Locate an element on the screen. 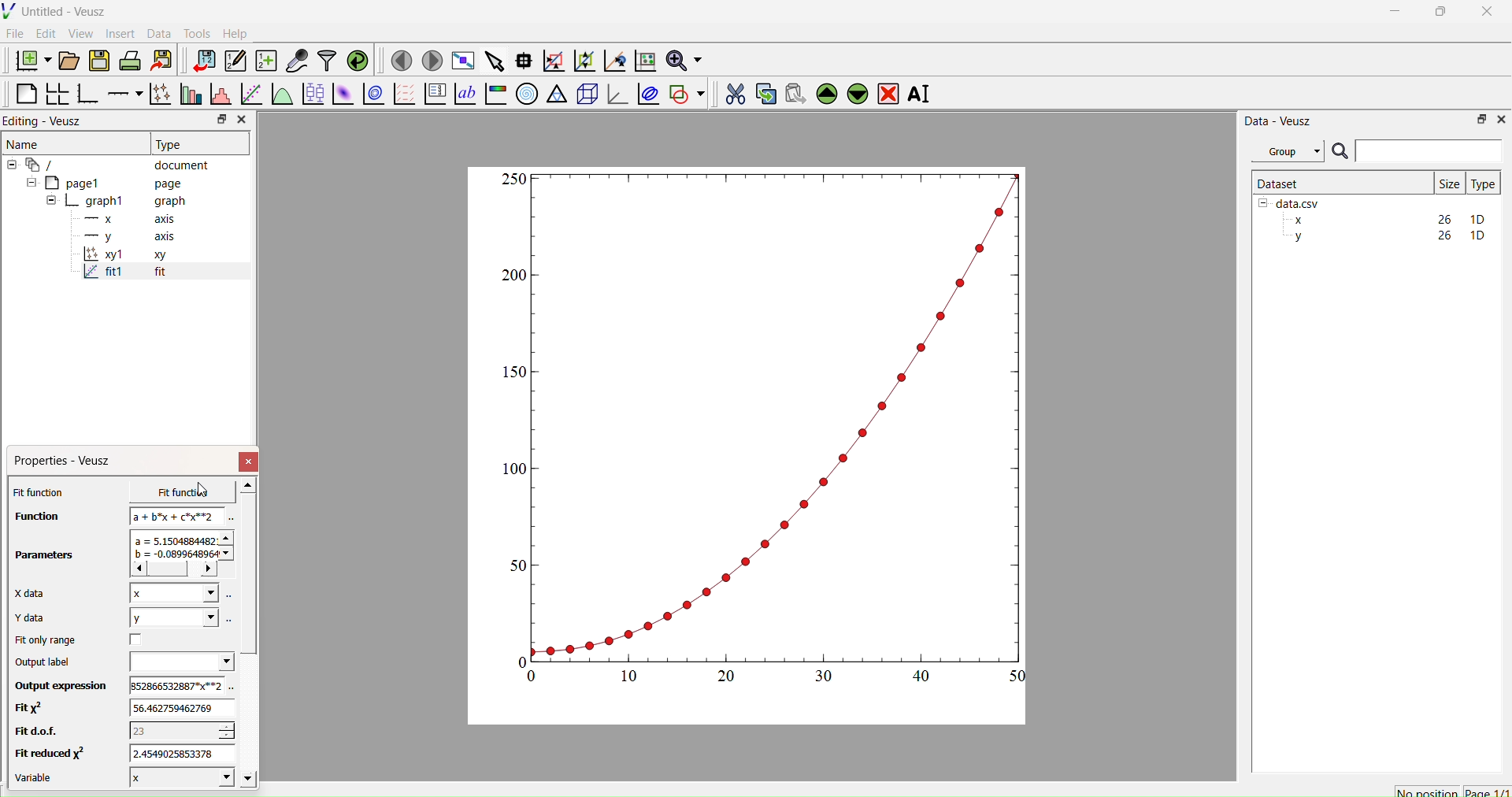 This screenshot has width=1512, height=797. fit1 fit is located at coordinates (123, 275).